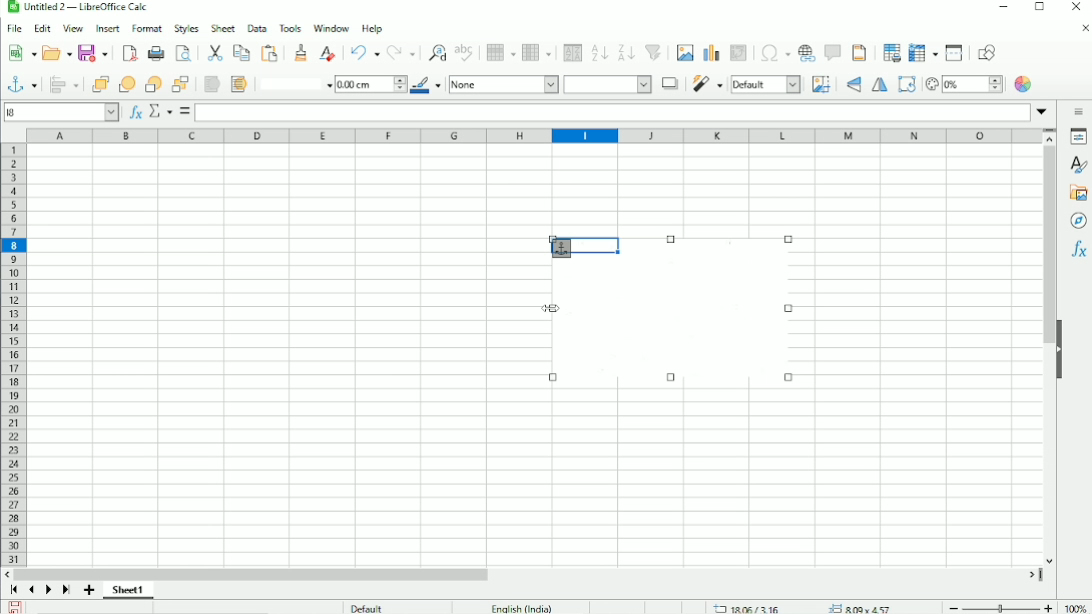 The width and height of the screenshot is (1092, 614). What do you see at coordinates (32, 589) in the screenshot?
I see `Scroll to previous sheet` at bounding box center [32, 589].